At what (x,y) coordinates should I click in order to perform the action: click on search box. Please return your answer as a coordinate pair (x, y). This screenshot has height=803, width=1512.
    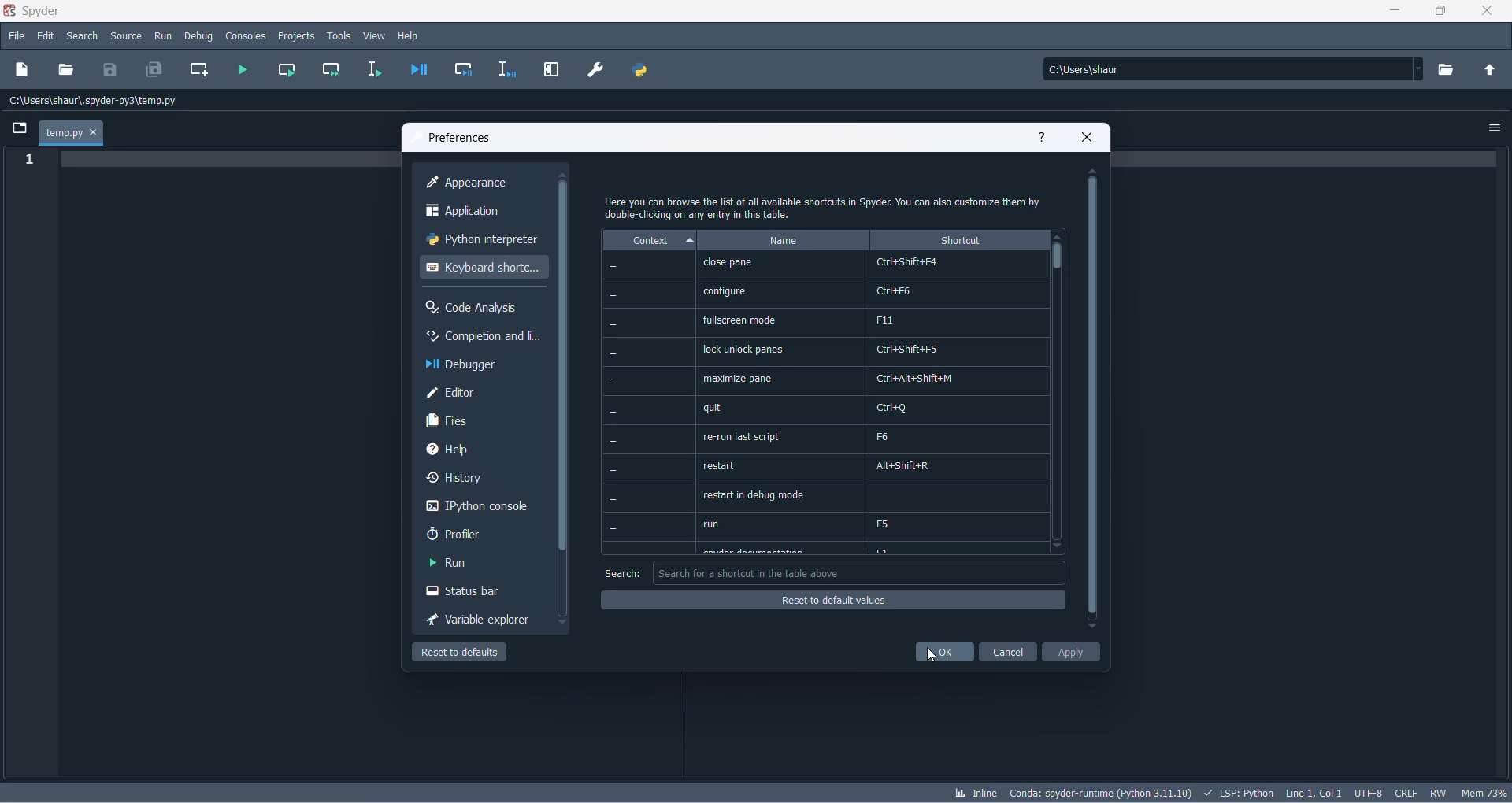
    Looking at the image, I should click on (858, 574).